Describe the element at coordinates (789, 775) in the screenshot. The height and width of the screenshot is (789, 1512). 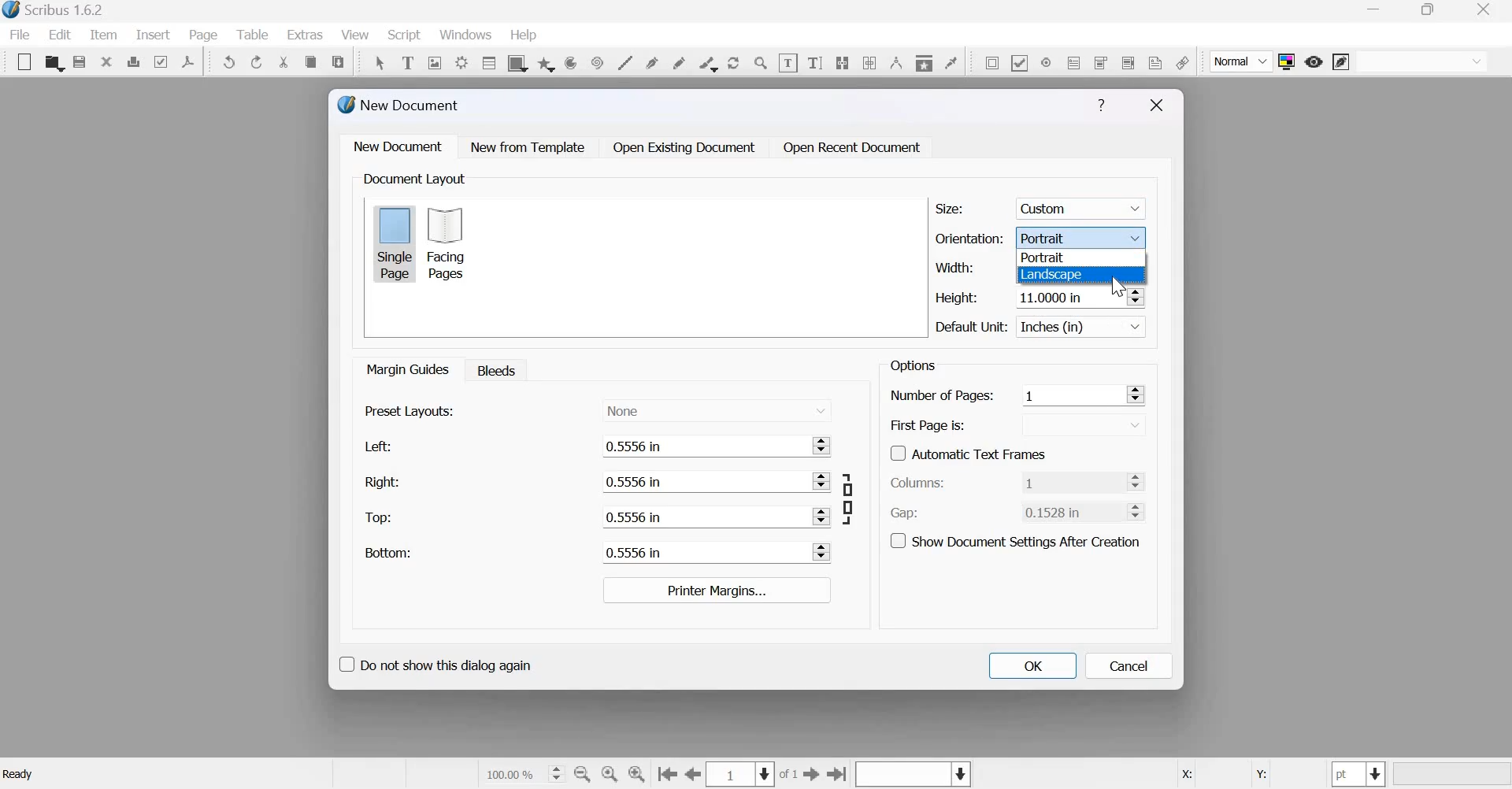
I see `of 1` at that location.